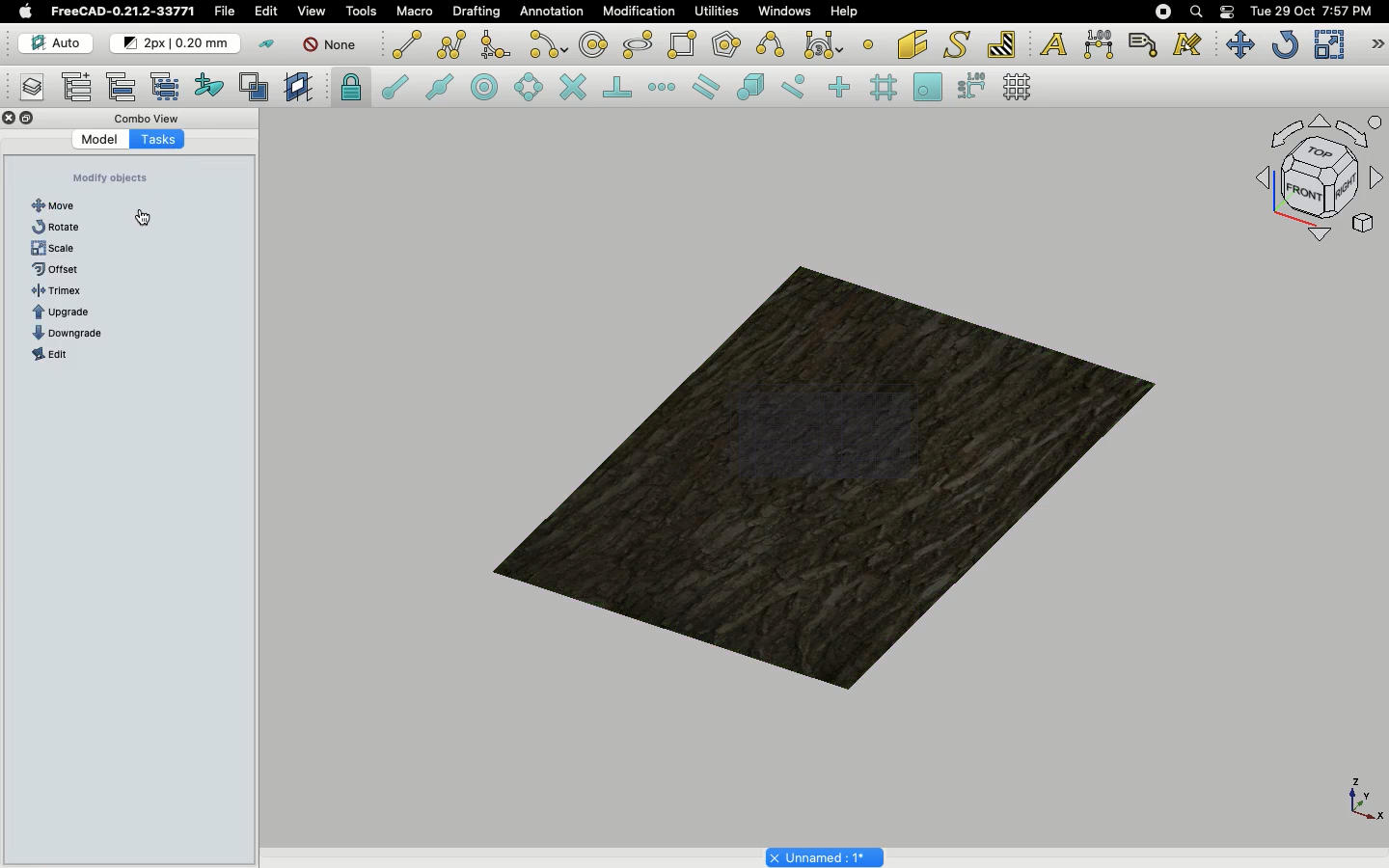 The image size is (1389, 868). I want to click on Edit, so click(48, 355).